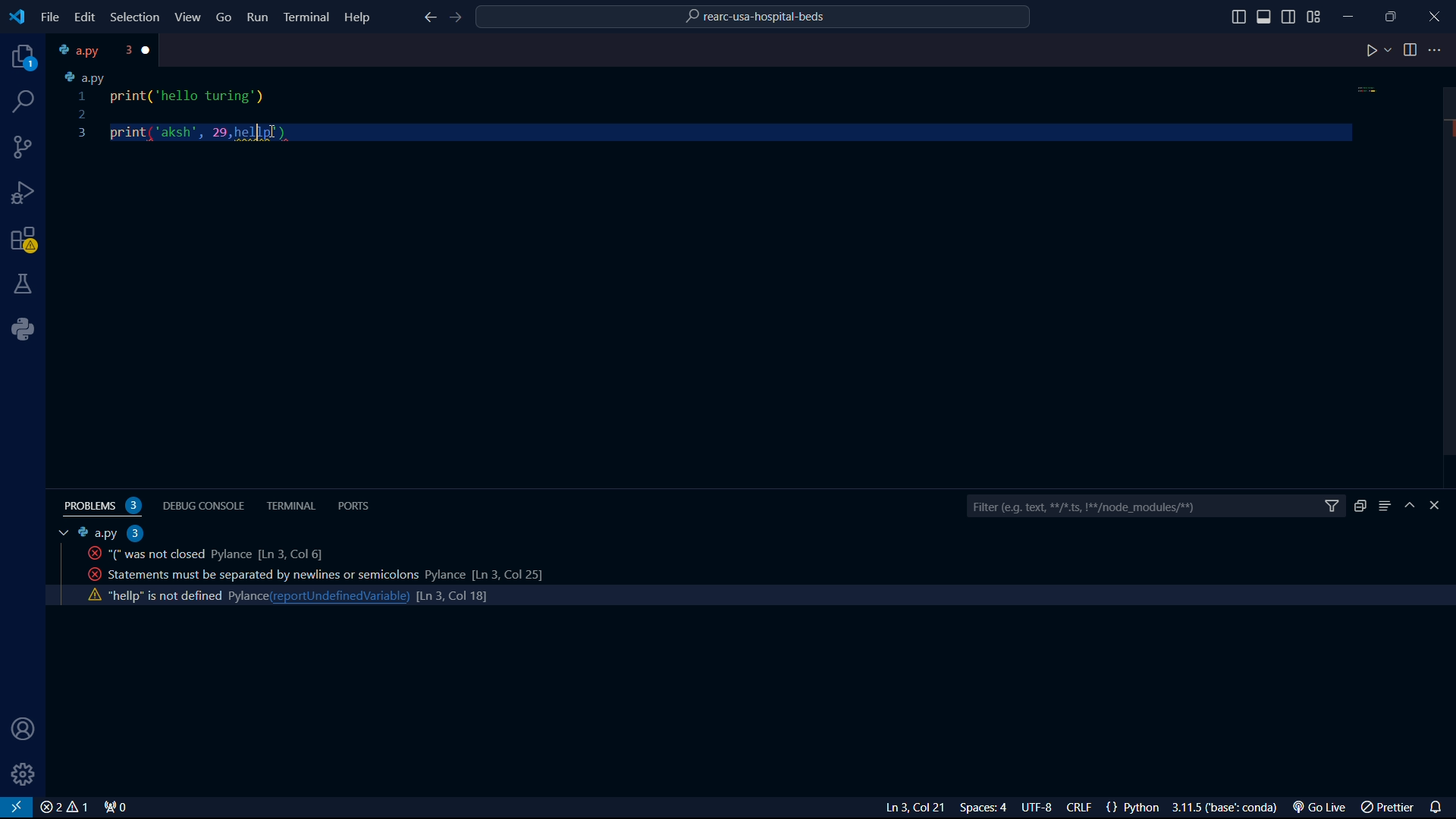 This screenshot has width=1456, height=819. Describe the element at coordinates (306, 573) in the screenshot. I see `activity code` at that location.